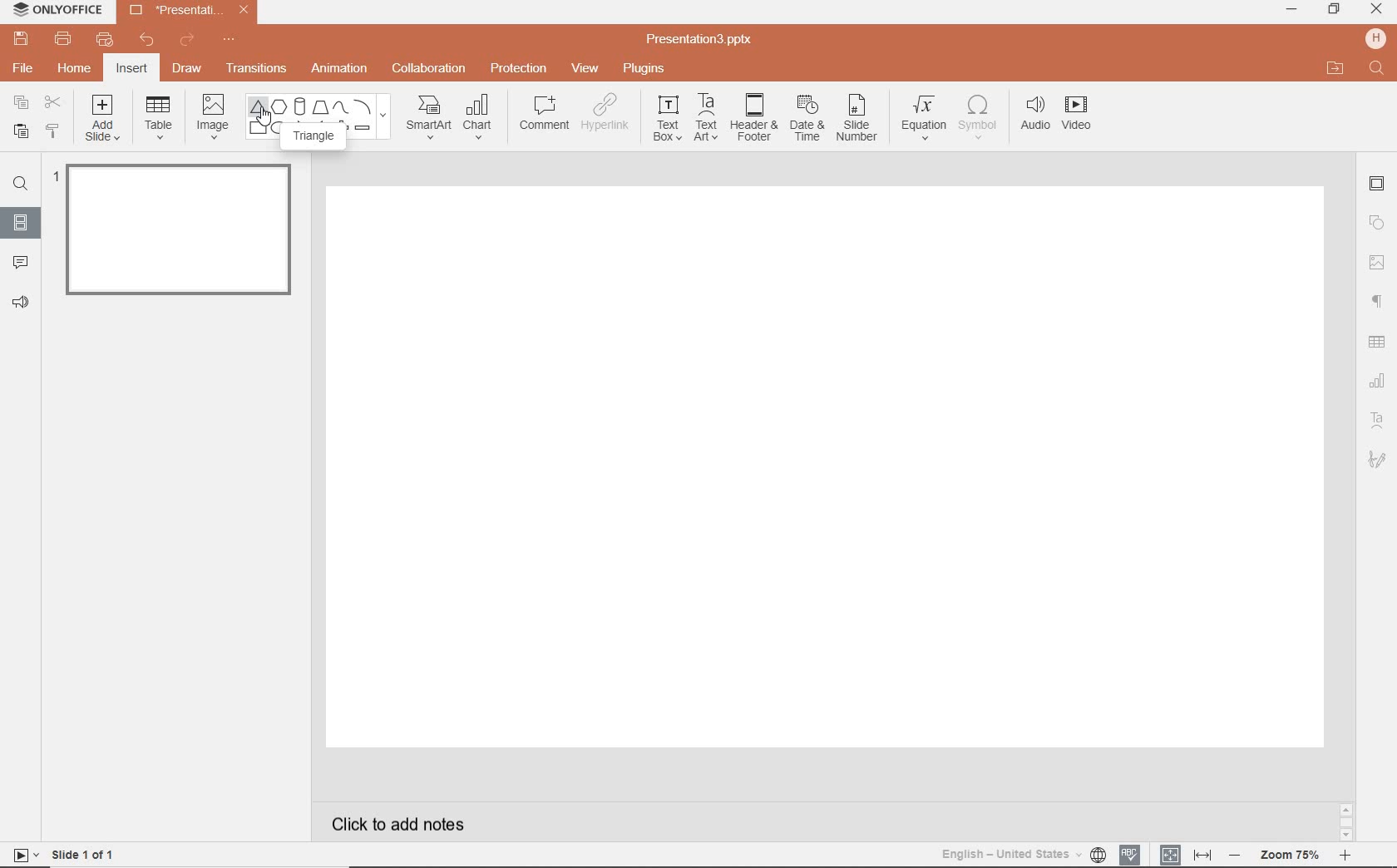 The width and height of the screenshot is (1397, 868). Describe the element at coordinates (1202, 856) in the screenshot. I see `FIT TO WIDTH` at that location.